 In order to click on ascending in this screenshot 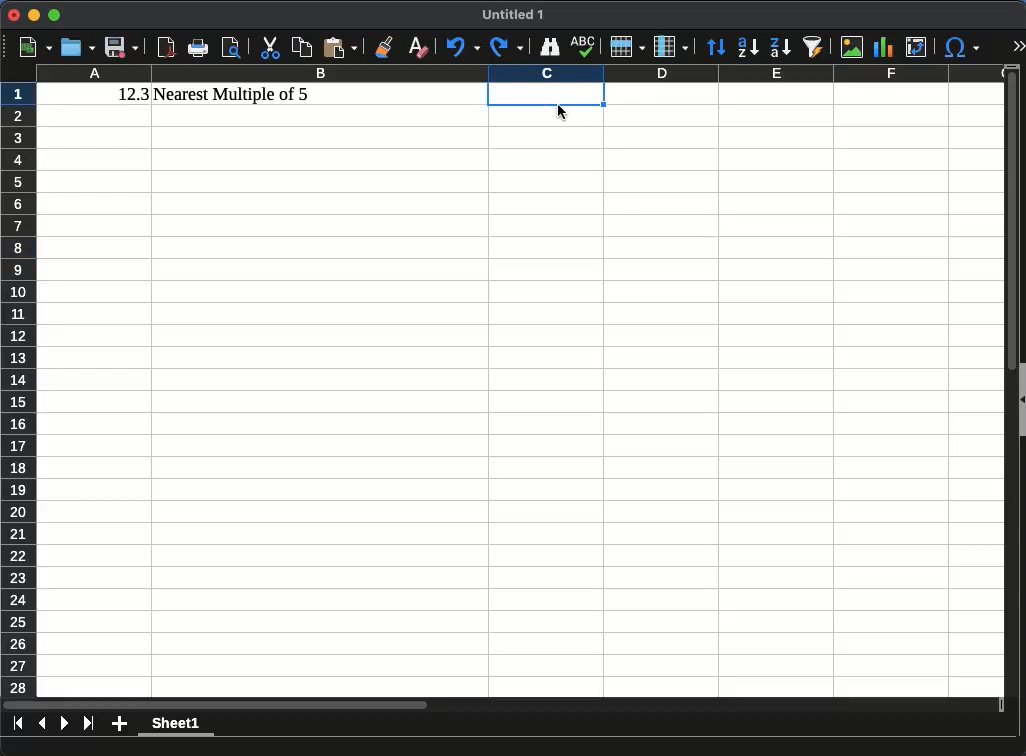, I will do `click(748, 48)`.